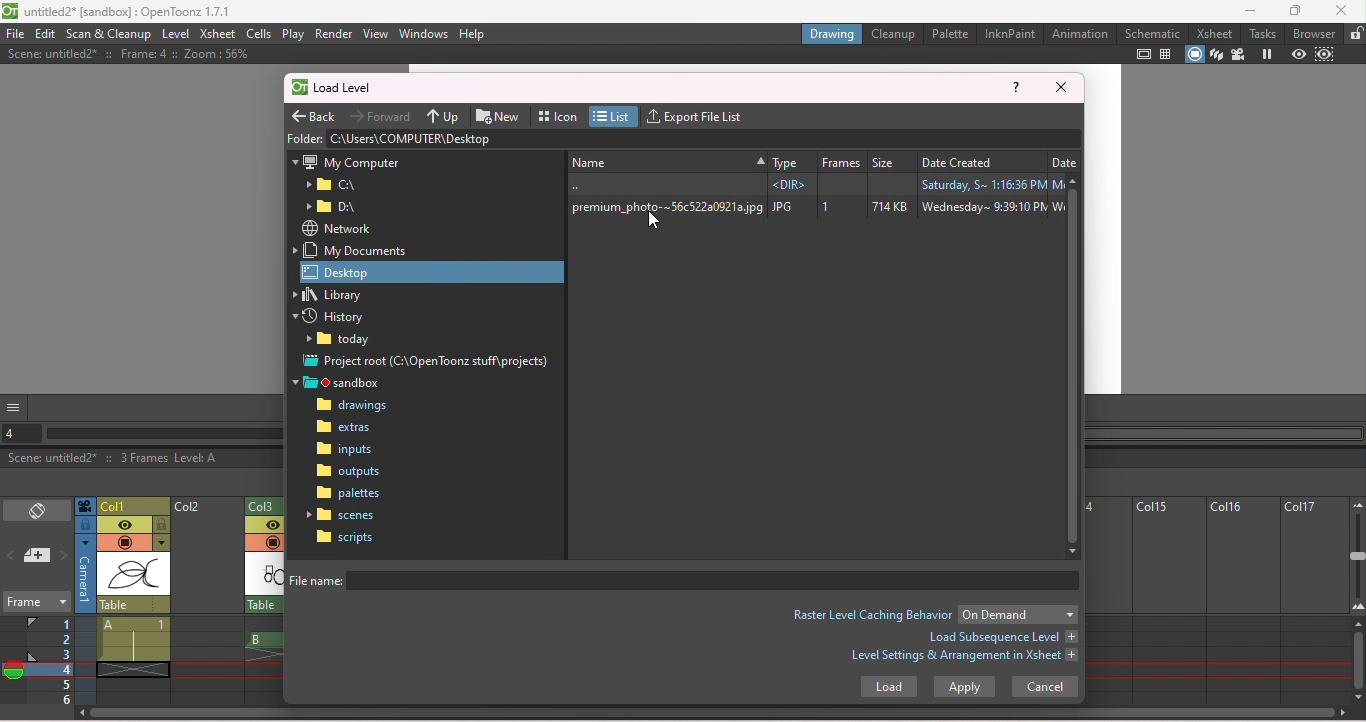 This screenshot has width=1366, height=722. What do you see at coordinates (175, 35) in the screenshot?
I see `Level` at bounding box center [175, 35].